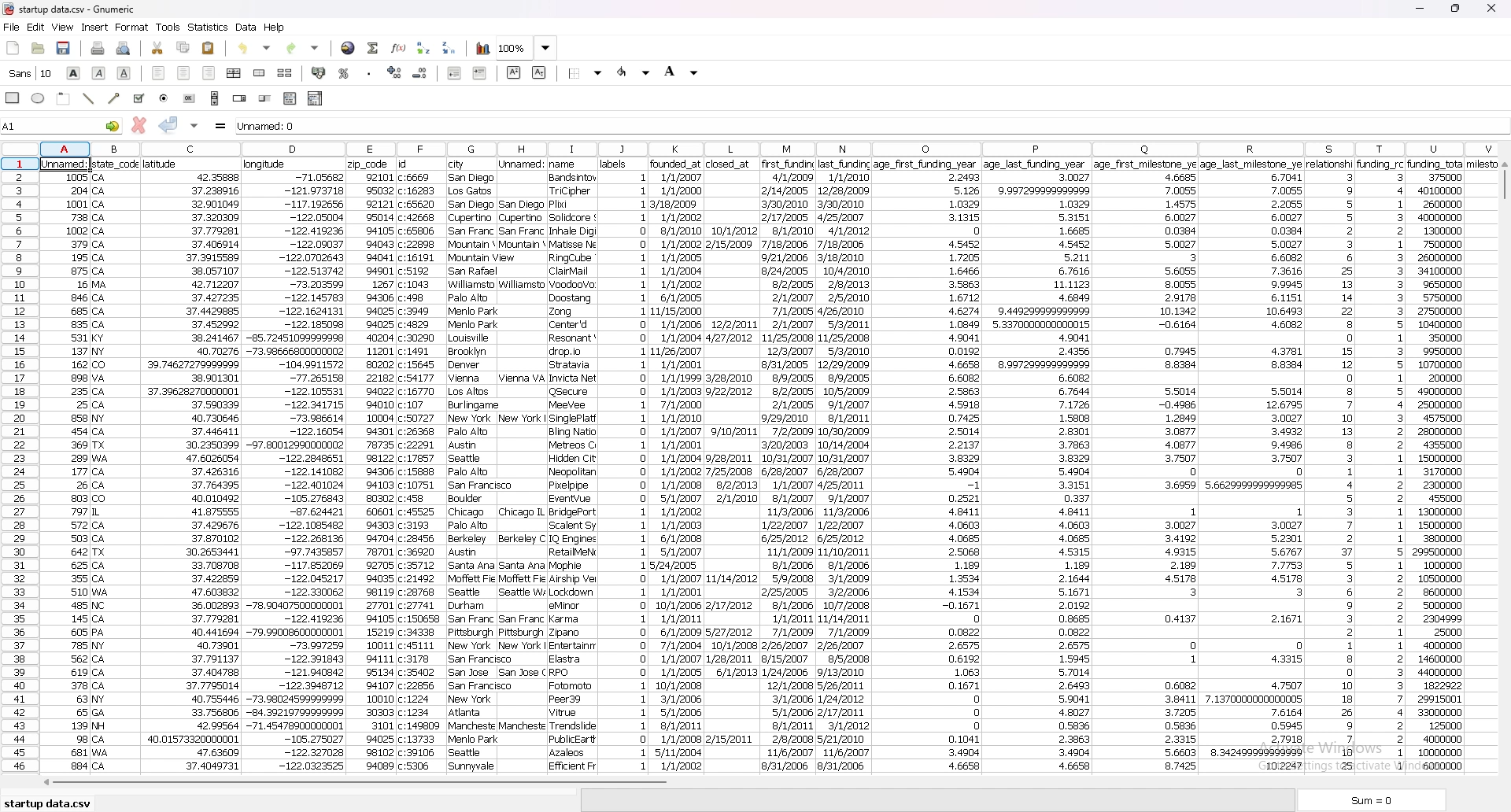 The image size is (1511, 812). What do you see at coordinates (873, 124) in the screenshot?
I see `unnamed : 0` at bounding box center [873, 124].